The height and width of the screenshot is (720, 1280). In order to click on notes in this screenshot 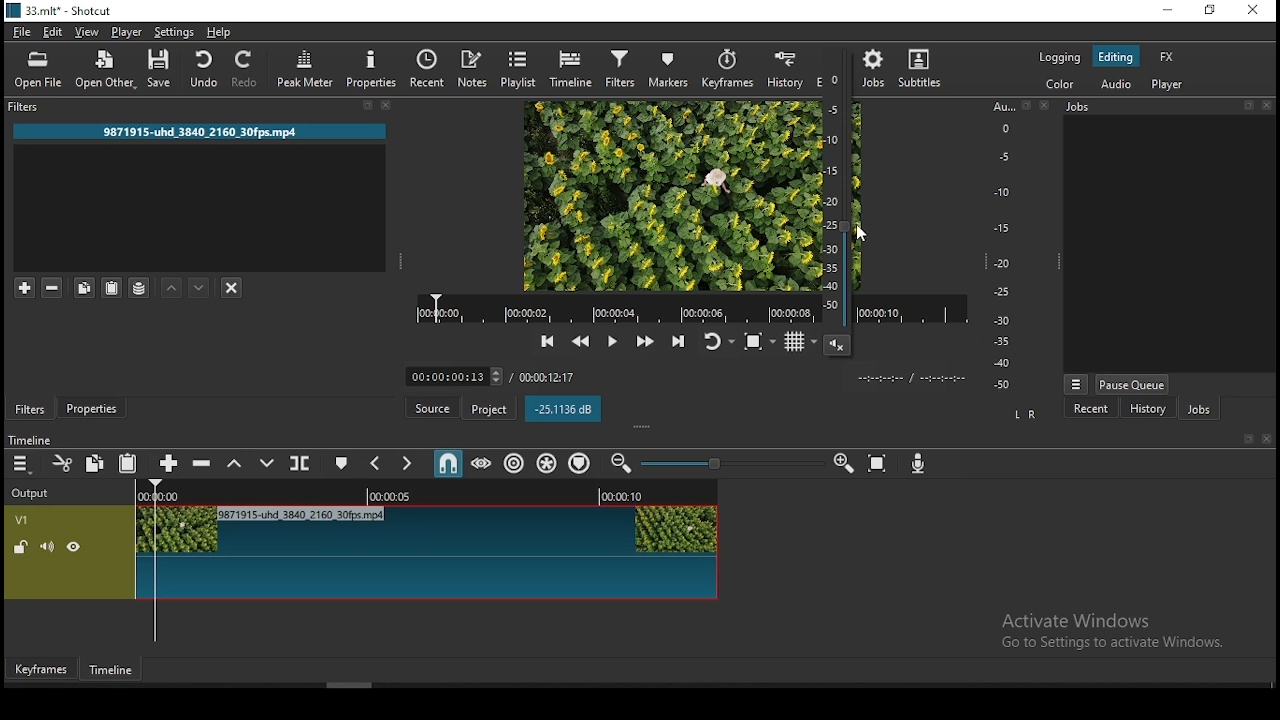, I will do `click(473, 68)`.